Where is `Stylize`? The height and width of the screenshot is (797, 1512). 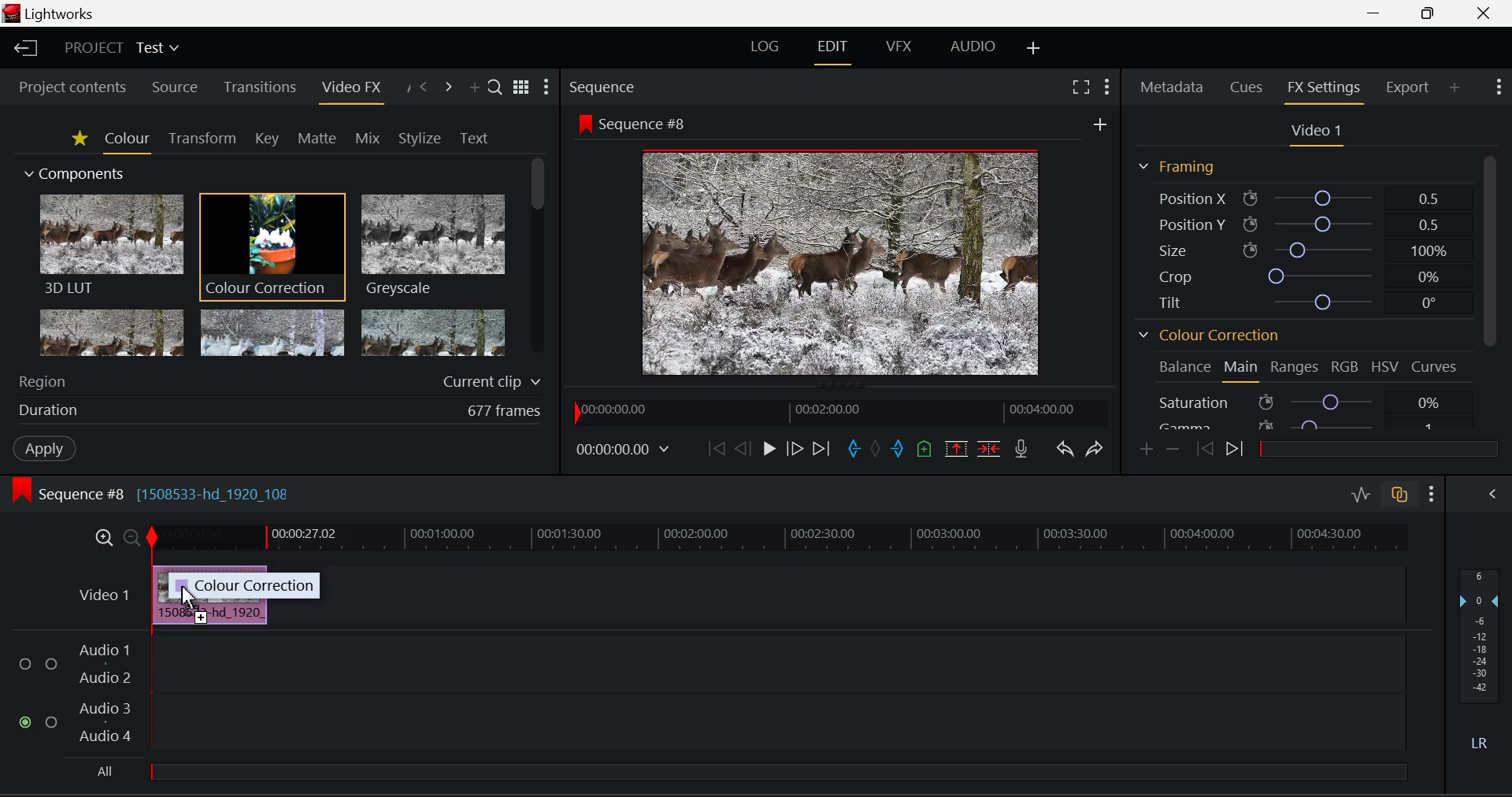
Stylize is located at coordinates (421, 138).